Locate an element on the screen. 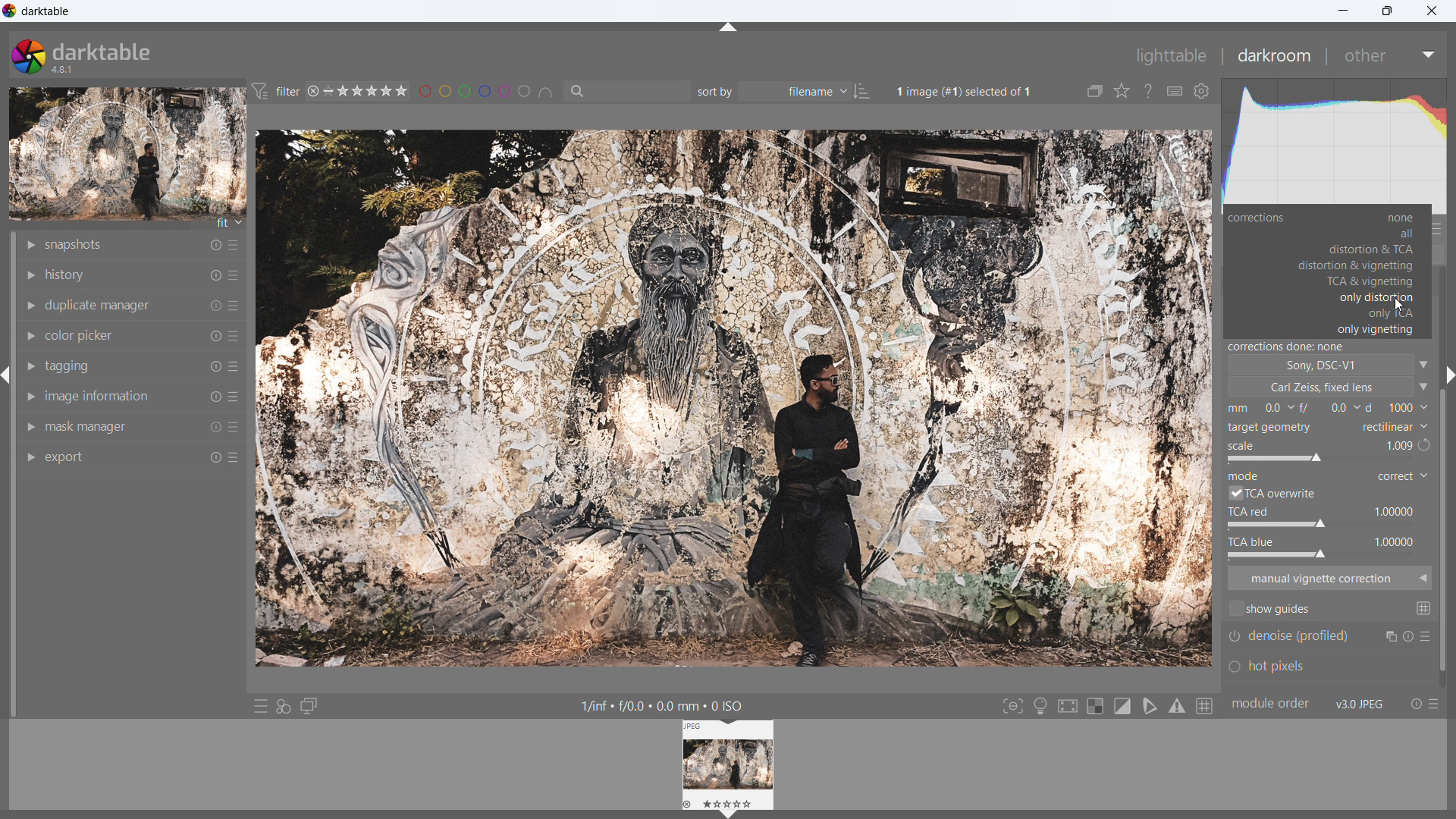 Image resolution: width=1456 pixels, height=819 pixels. more options is located at coordinates (236, 273).